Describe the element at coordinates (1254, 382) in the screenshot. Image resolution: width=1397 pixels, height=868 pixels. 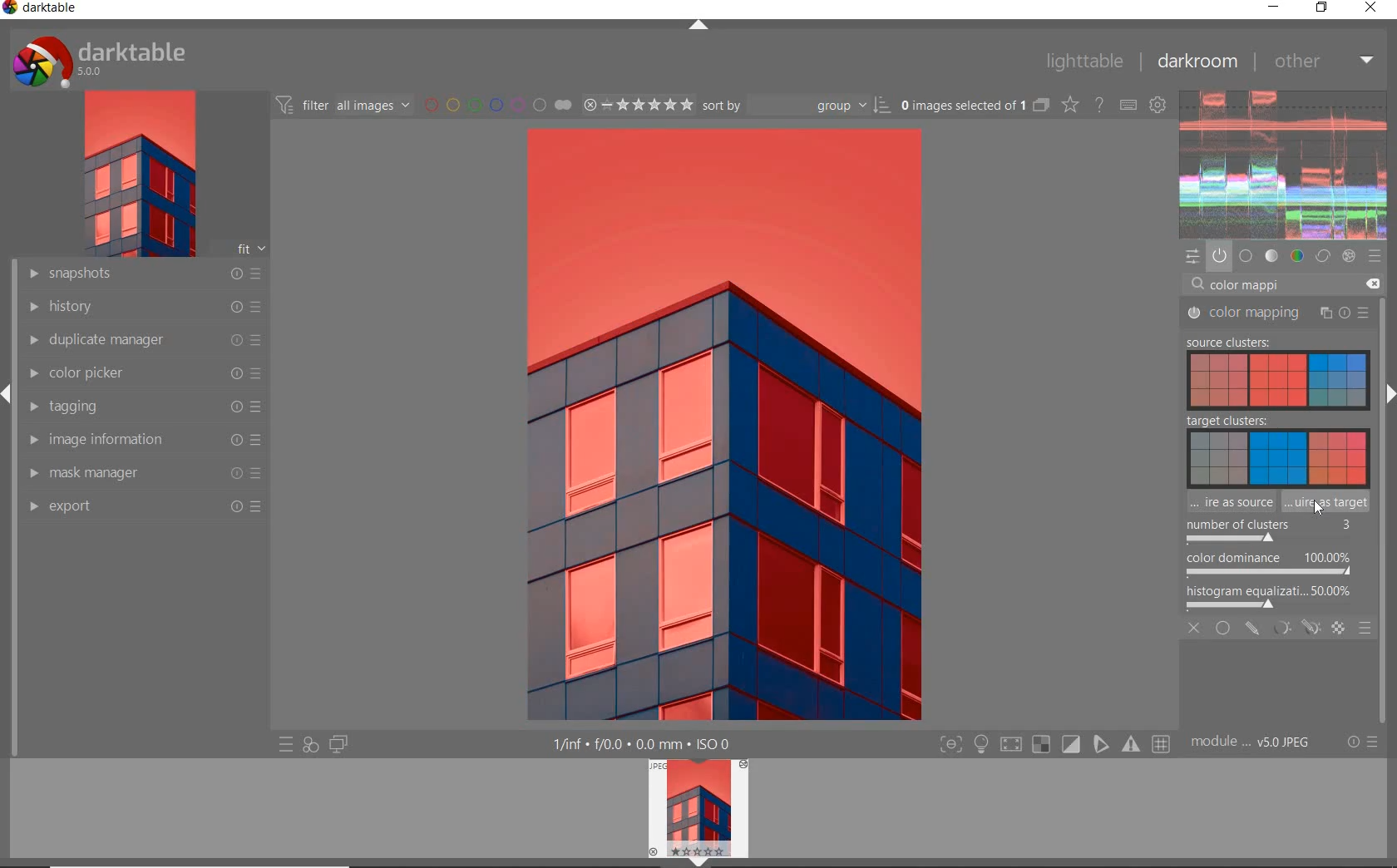
I see `Image` at that location.